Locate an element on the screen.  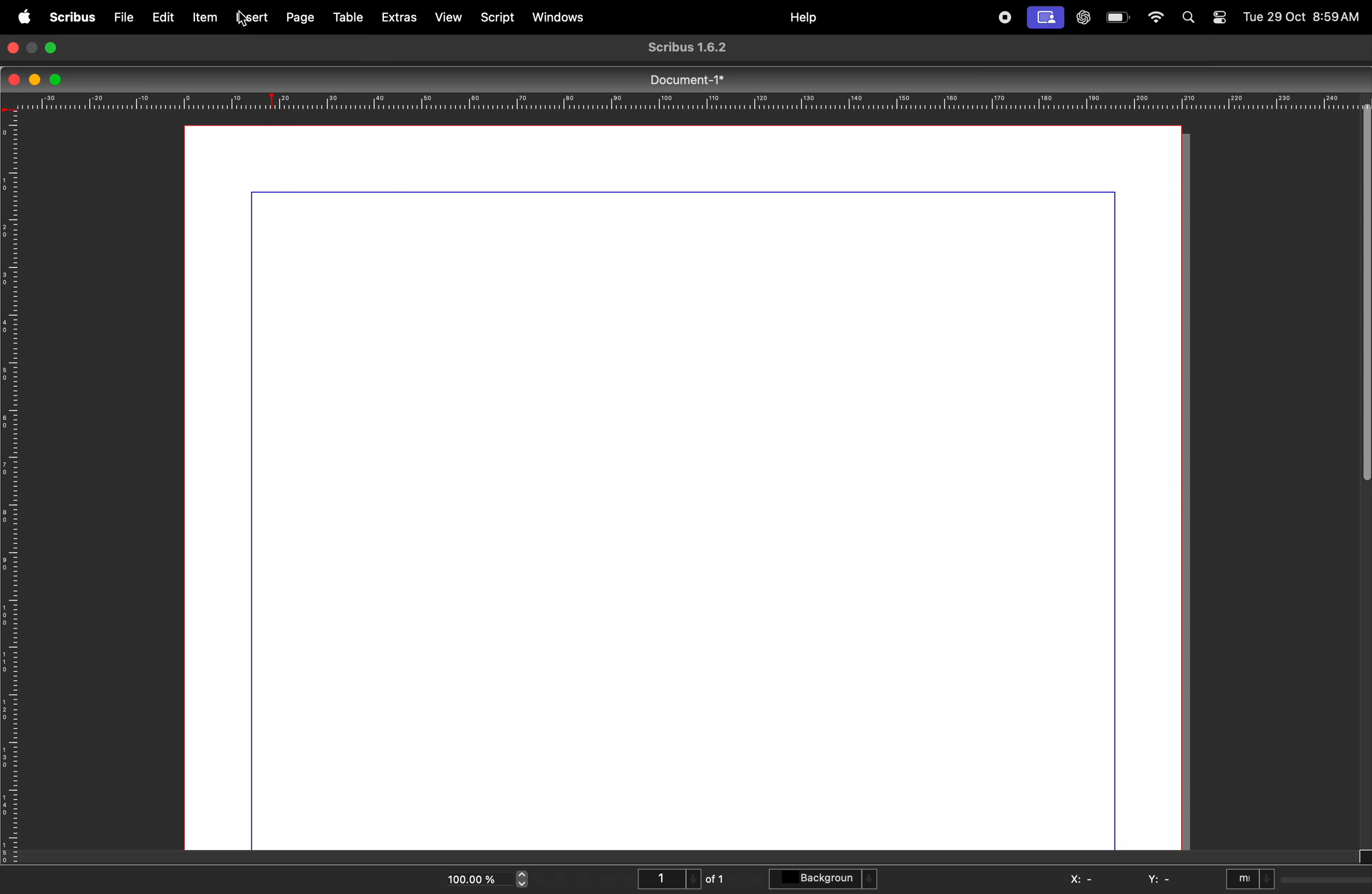
100.00% is located at coordinates (469, 876).